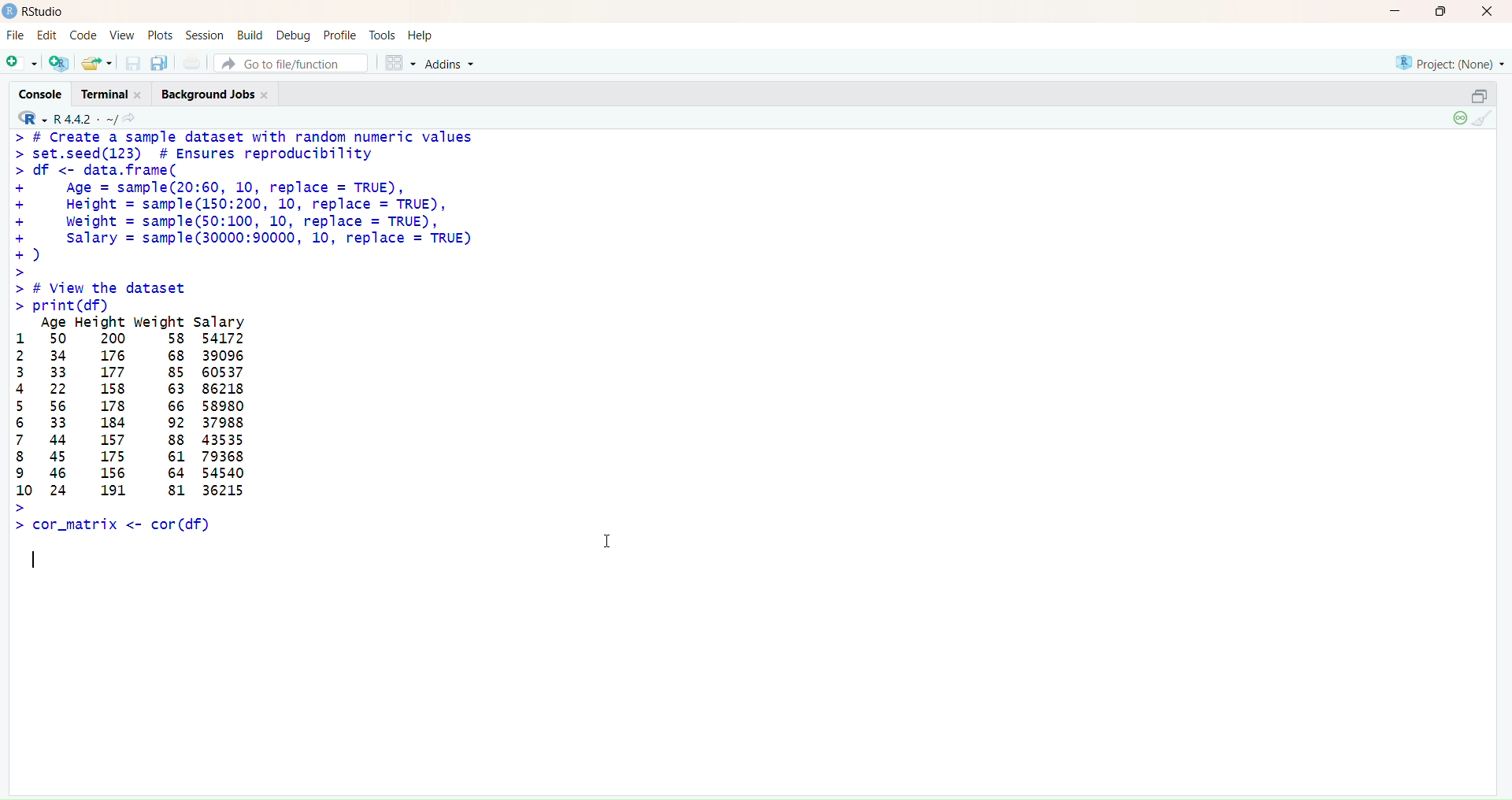 This screenshot has width=1512, height=800. I want to click on Profile, so click(341, 35).